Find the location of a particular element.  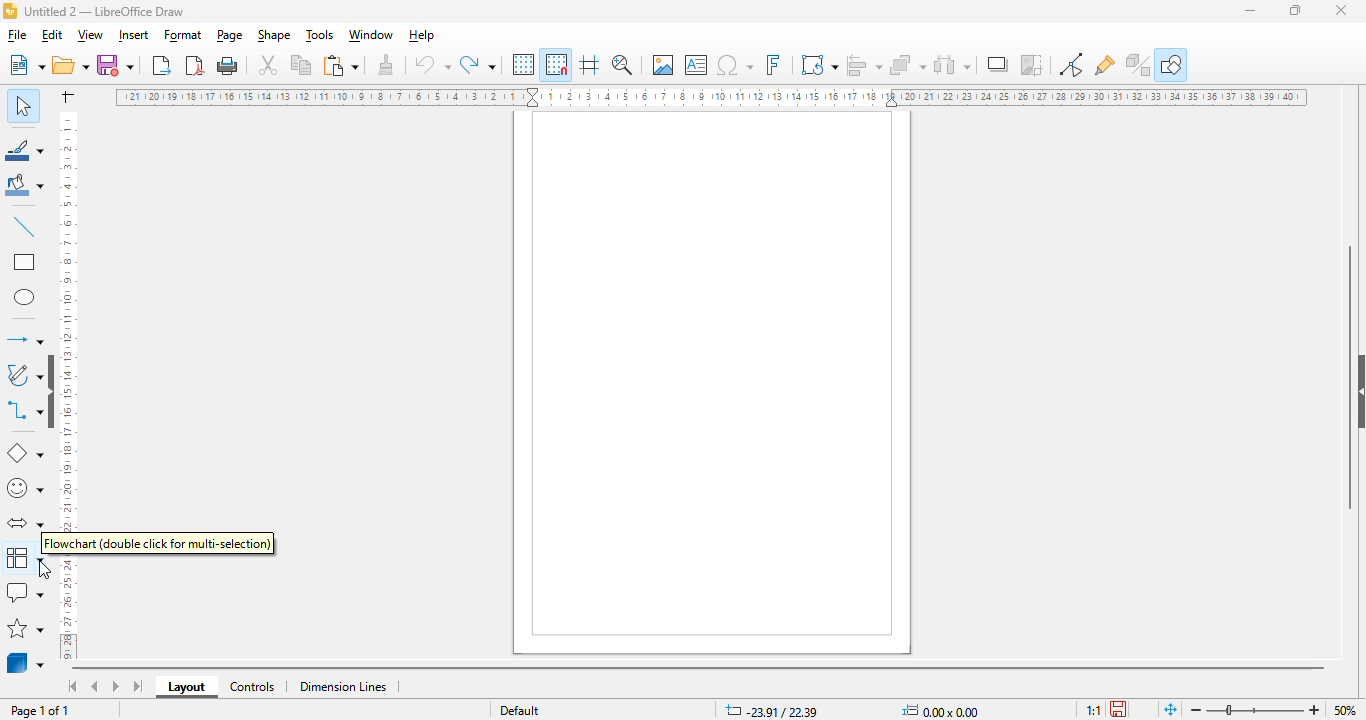

helplines while moving is located at coordinates (590, 65).